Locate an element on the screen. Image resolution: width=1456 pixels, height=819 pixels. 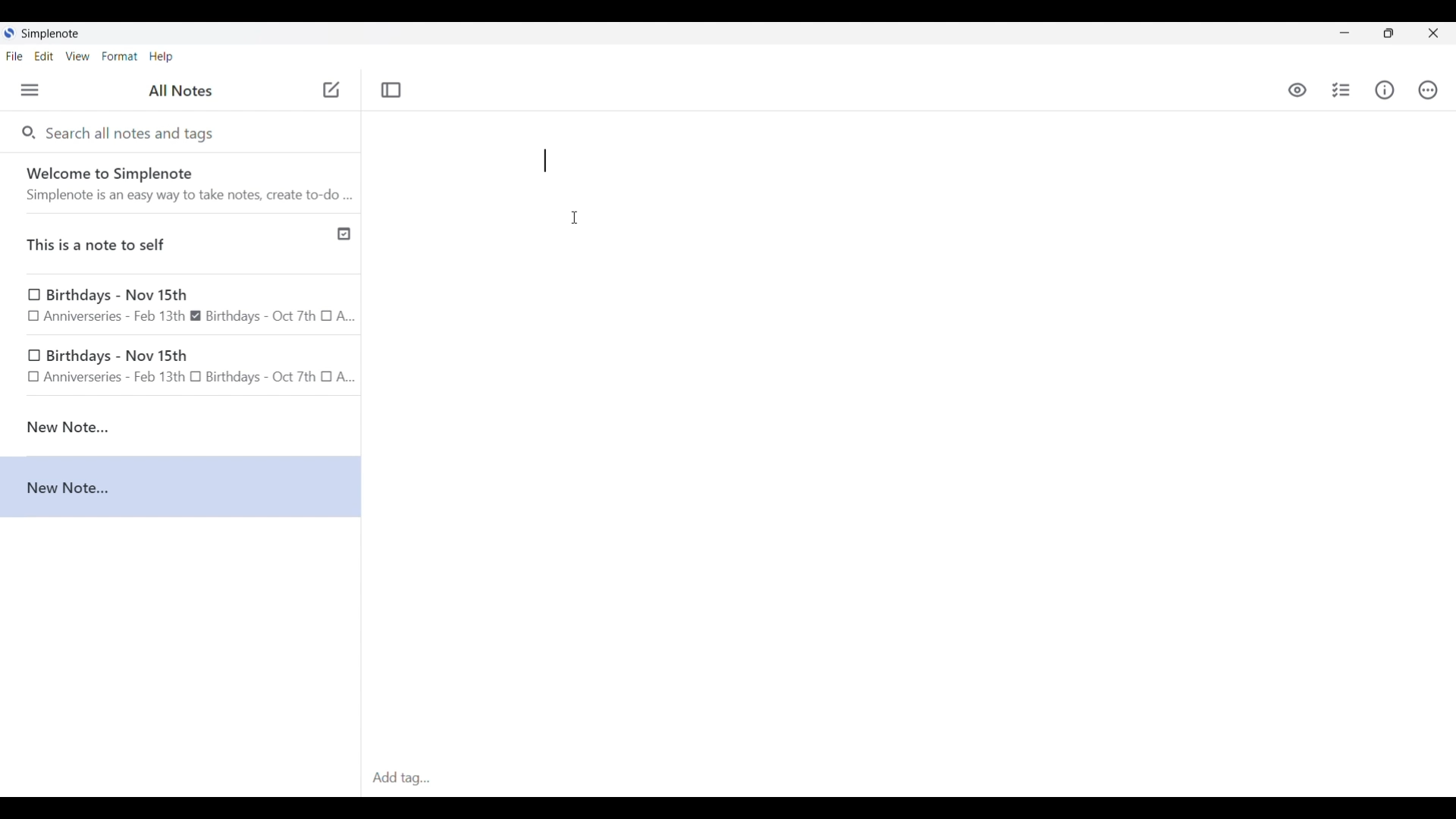
Toggle to see markdown preview is located at coordinates (1298, 90).